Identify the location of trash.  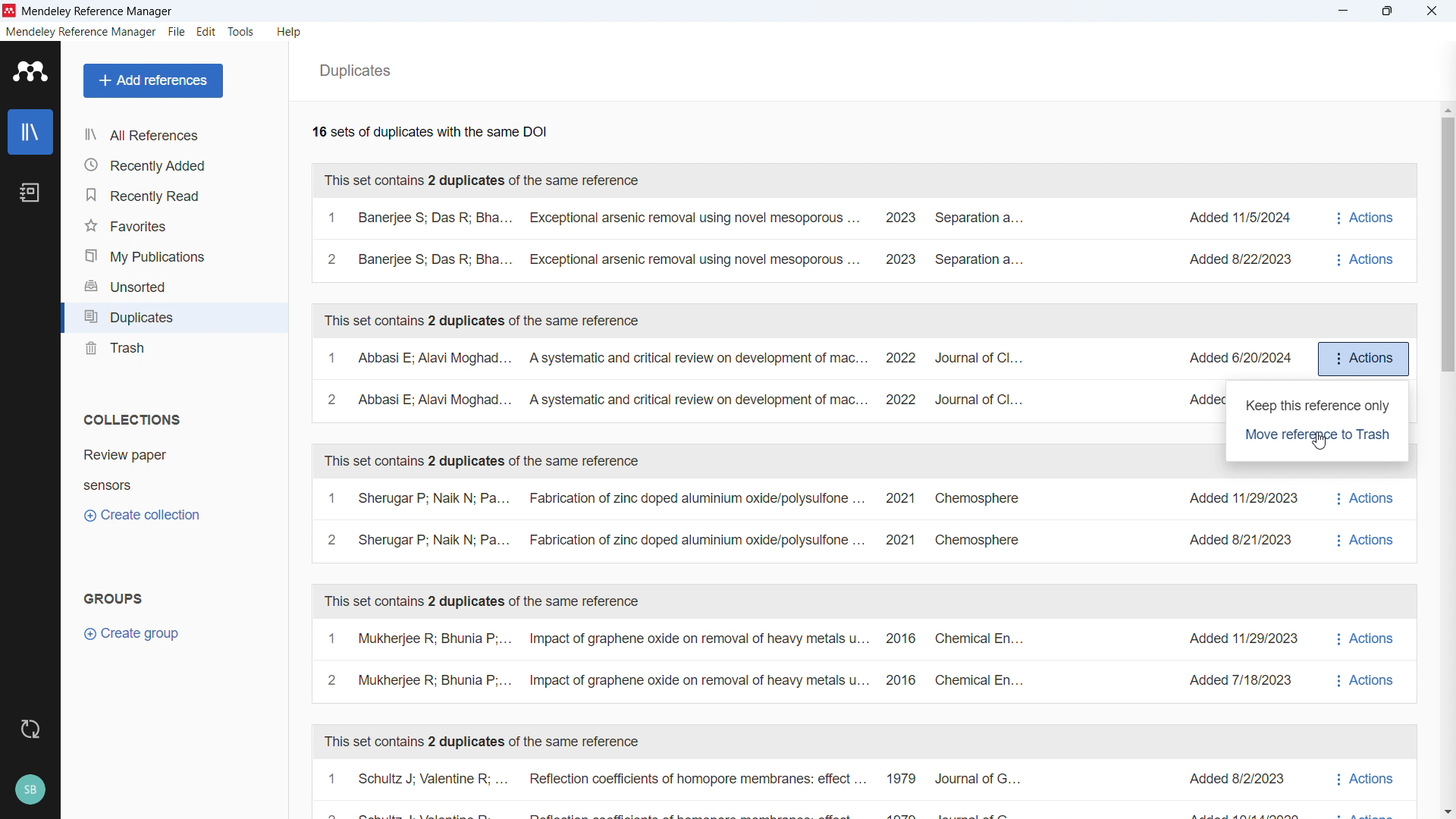
(173, 347).